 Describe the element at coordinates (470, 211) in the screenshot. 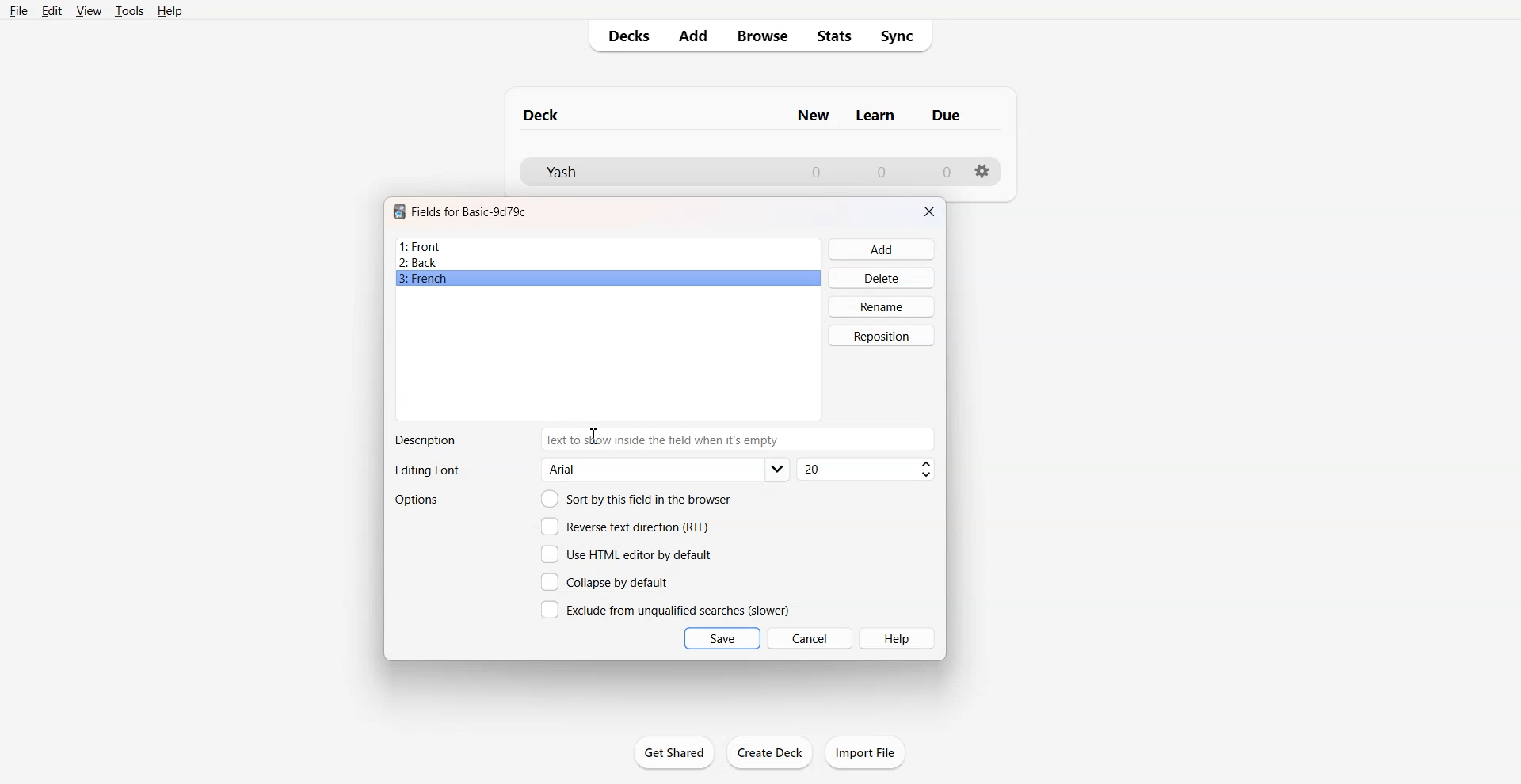

I see `Text 1` at that location.